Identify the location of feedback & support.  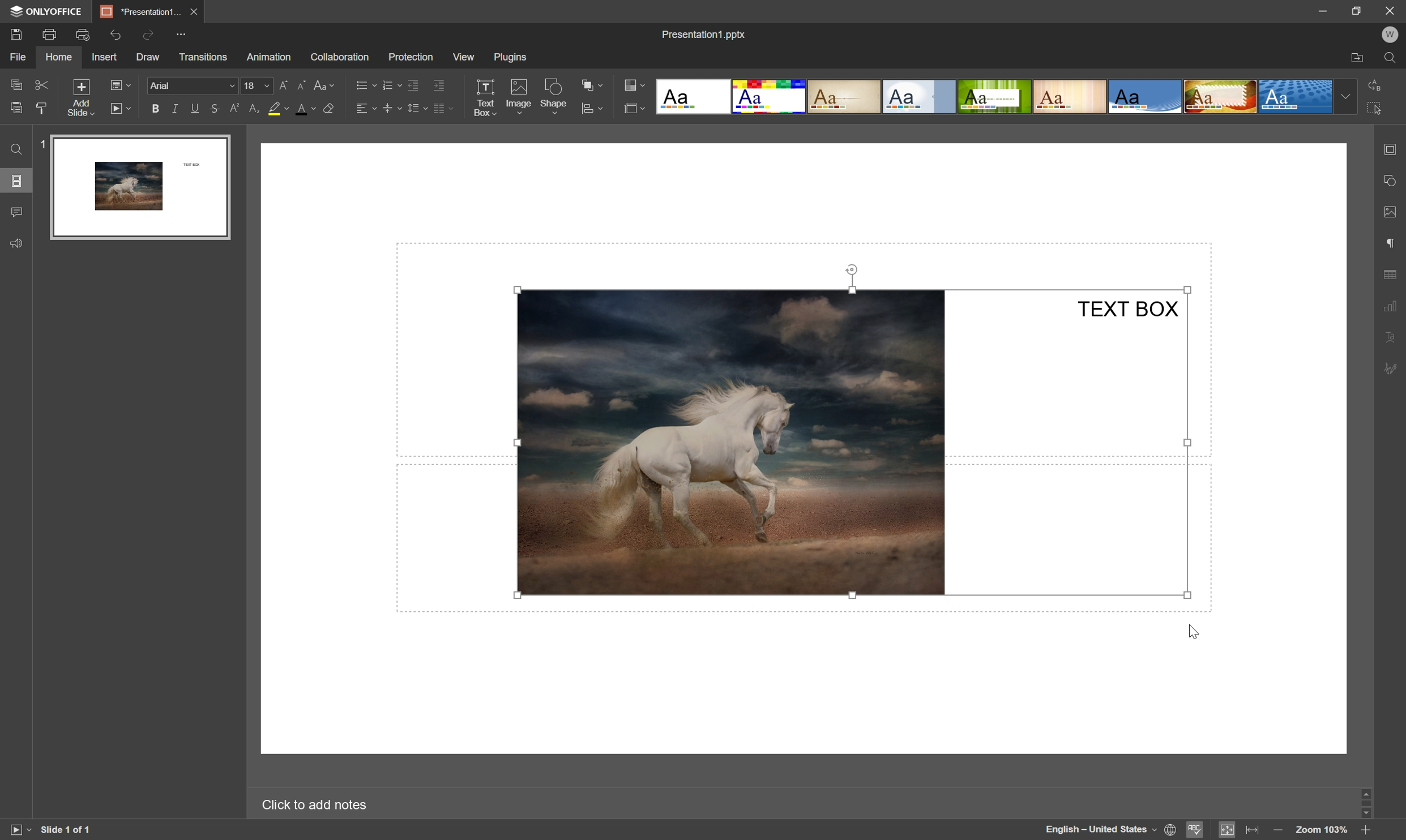
(16, 245).